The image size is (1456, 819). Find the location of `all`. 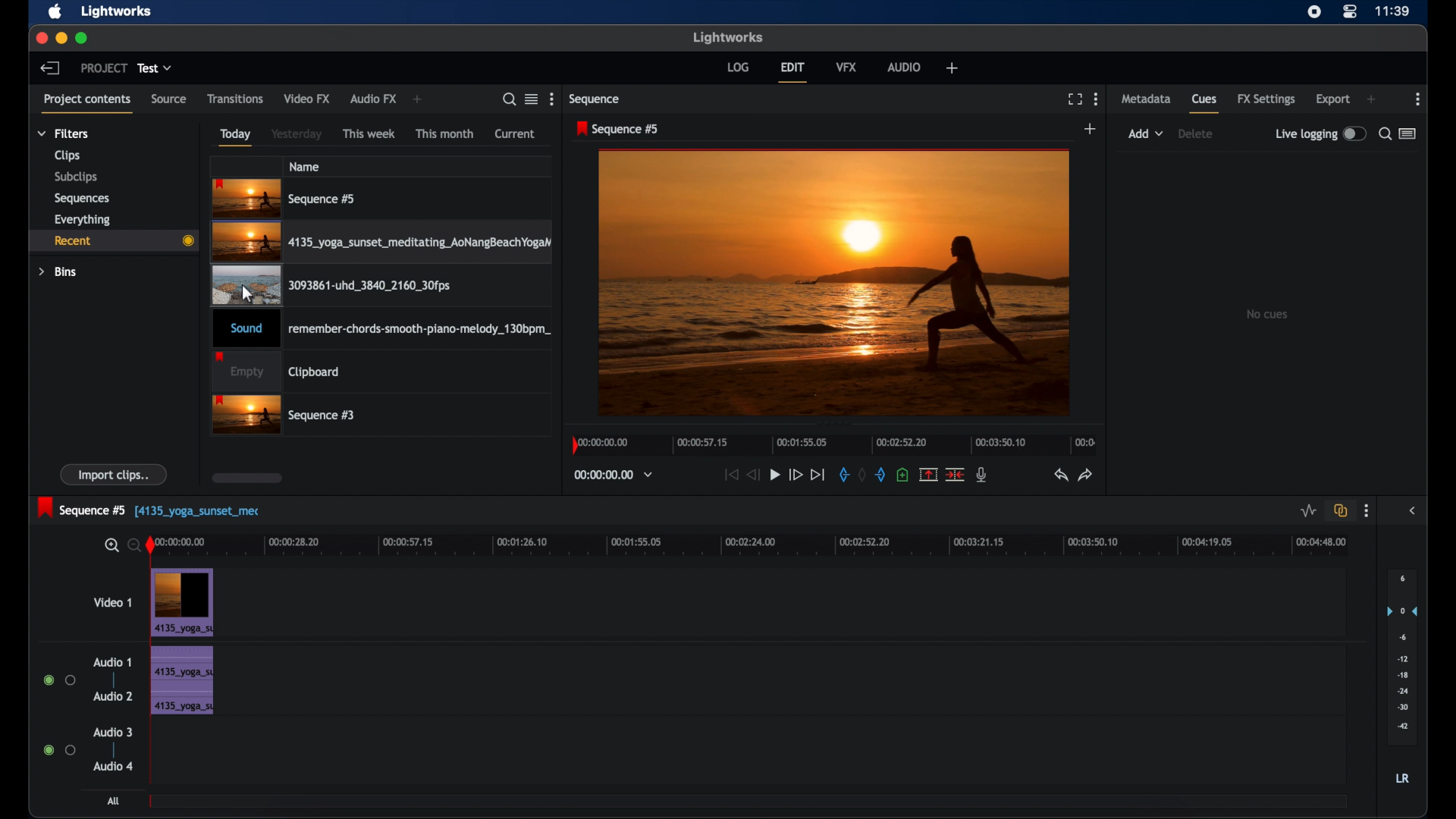

all is located at coordinates (113, 801).